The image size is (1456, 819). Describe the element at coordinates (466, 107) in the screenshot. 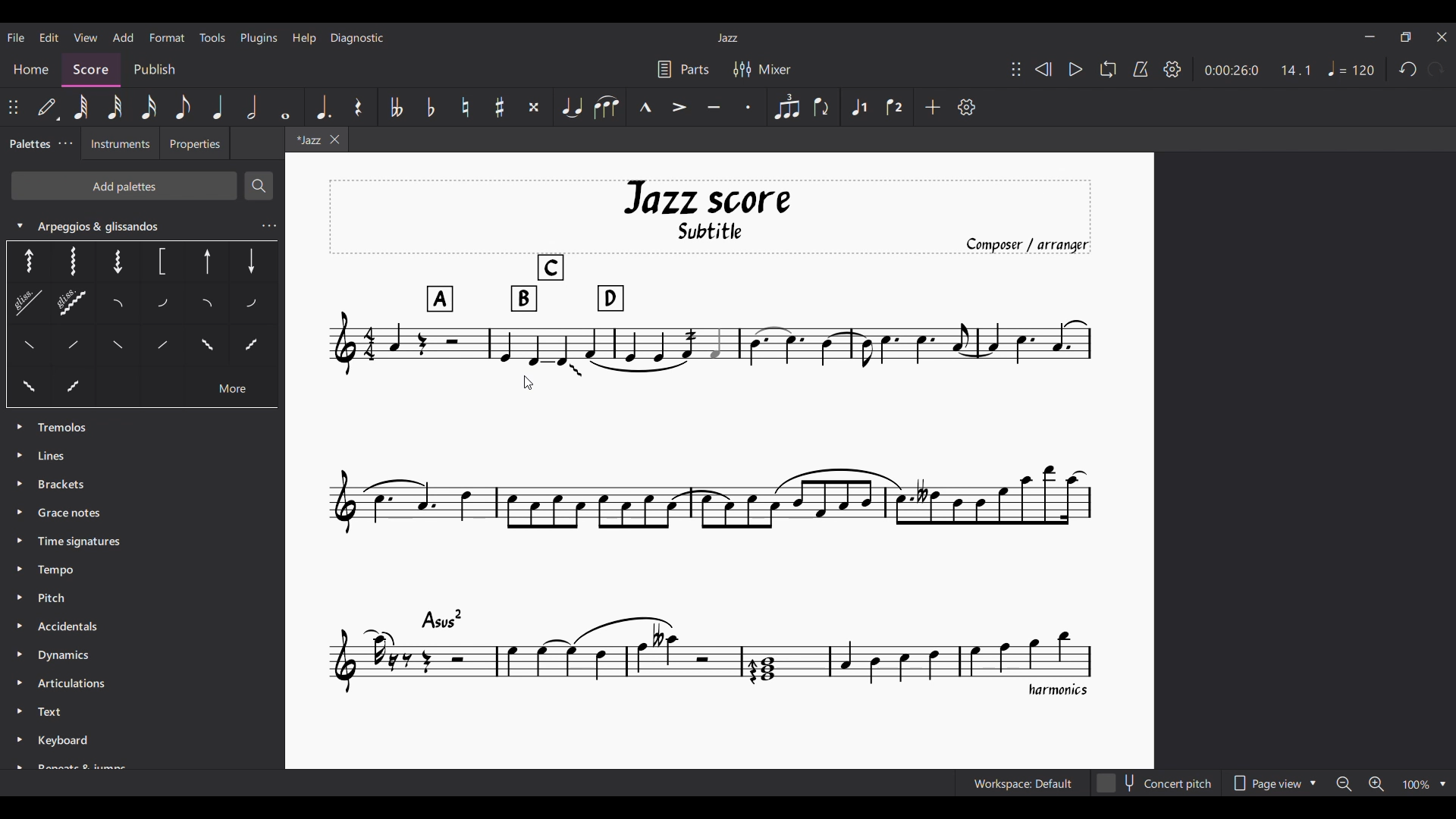

I see `Toggle natural` at that location.